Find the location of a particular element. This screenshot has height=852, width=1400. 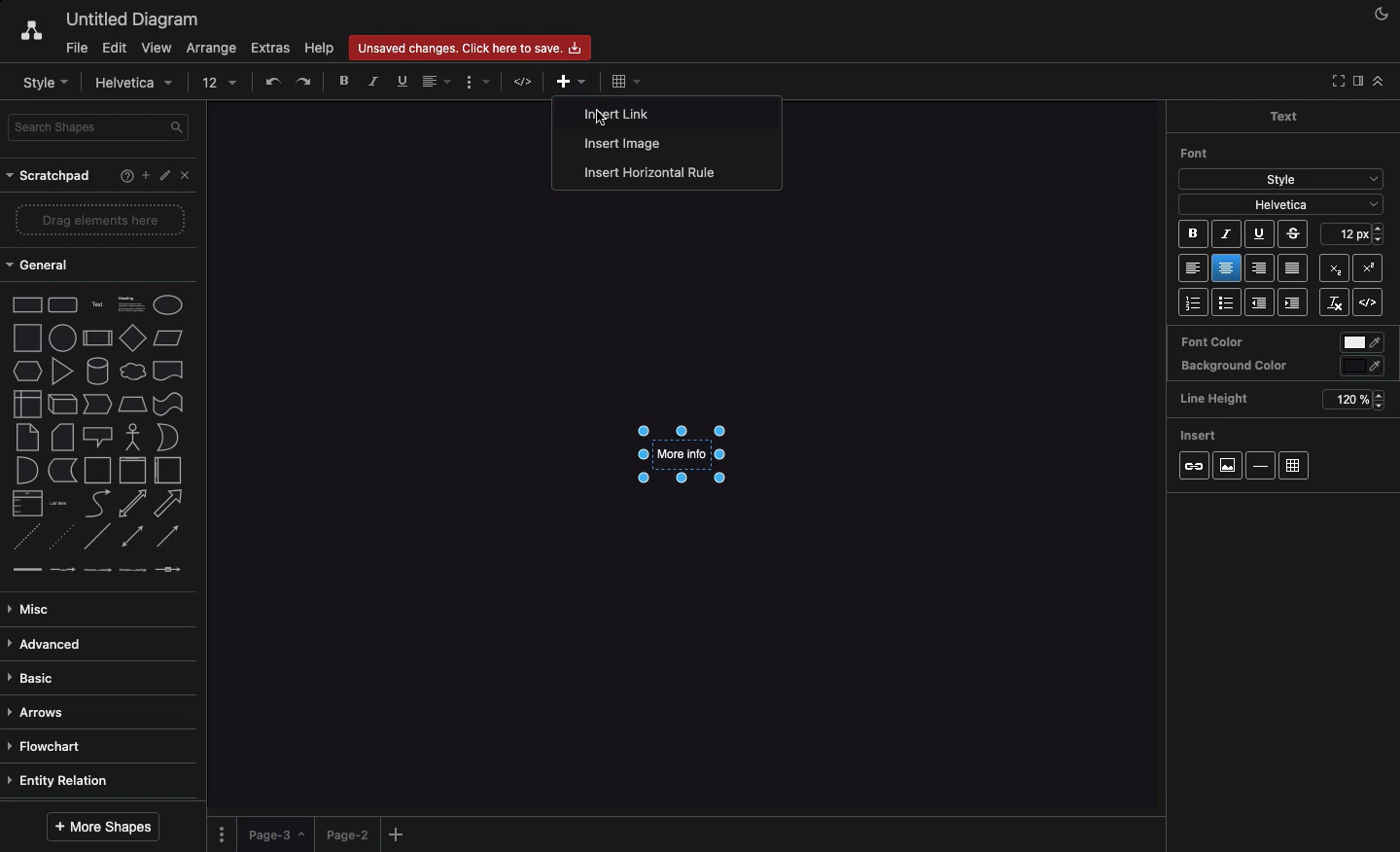

Close is located at coordinates (190, 179).